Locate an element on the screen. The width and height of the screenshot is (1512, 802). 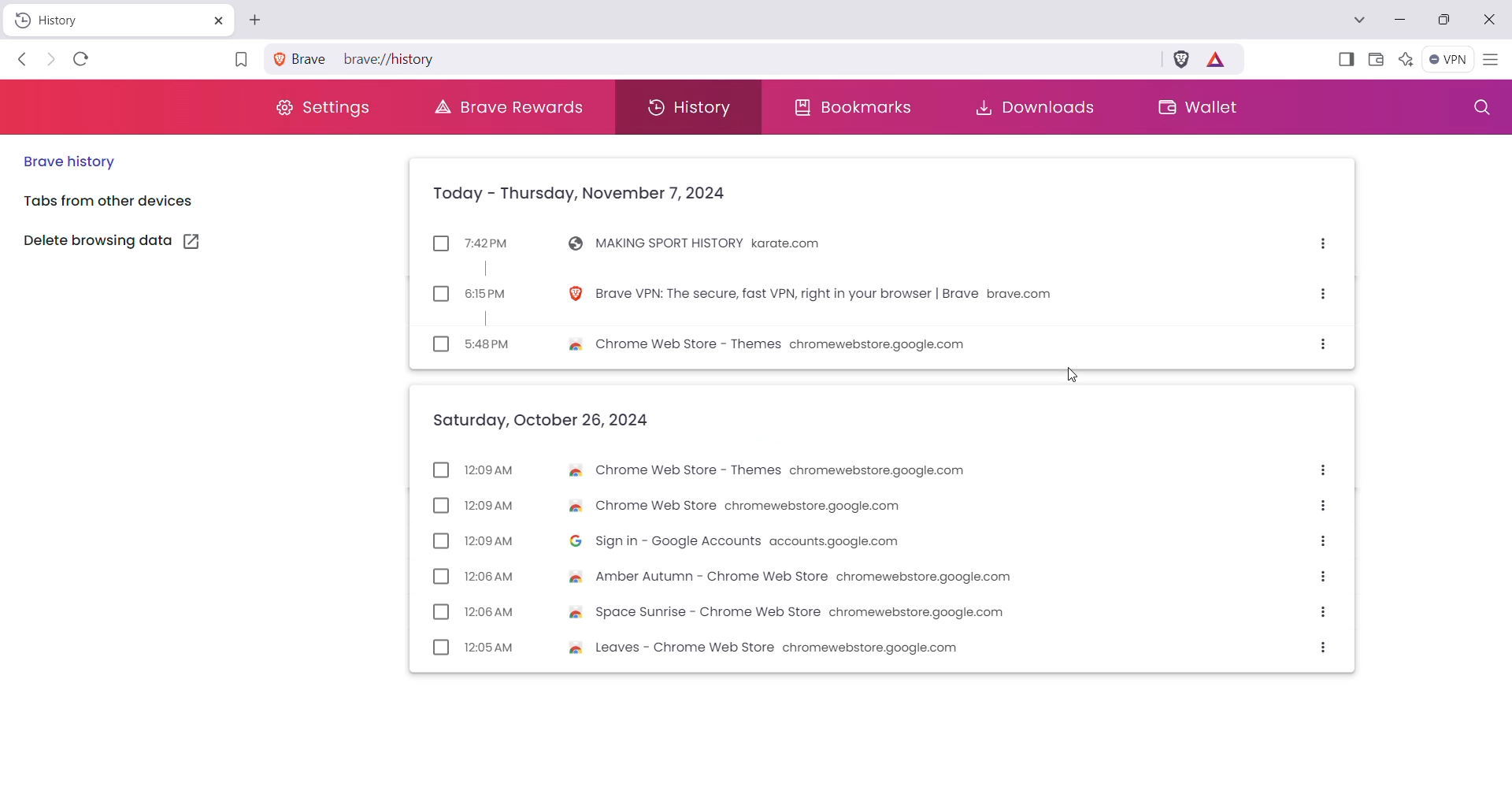
Reload this page is located at coordinates (83, 60).